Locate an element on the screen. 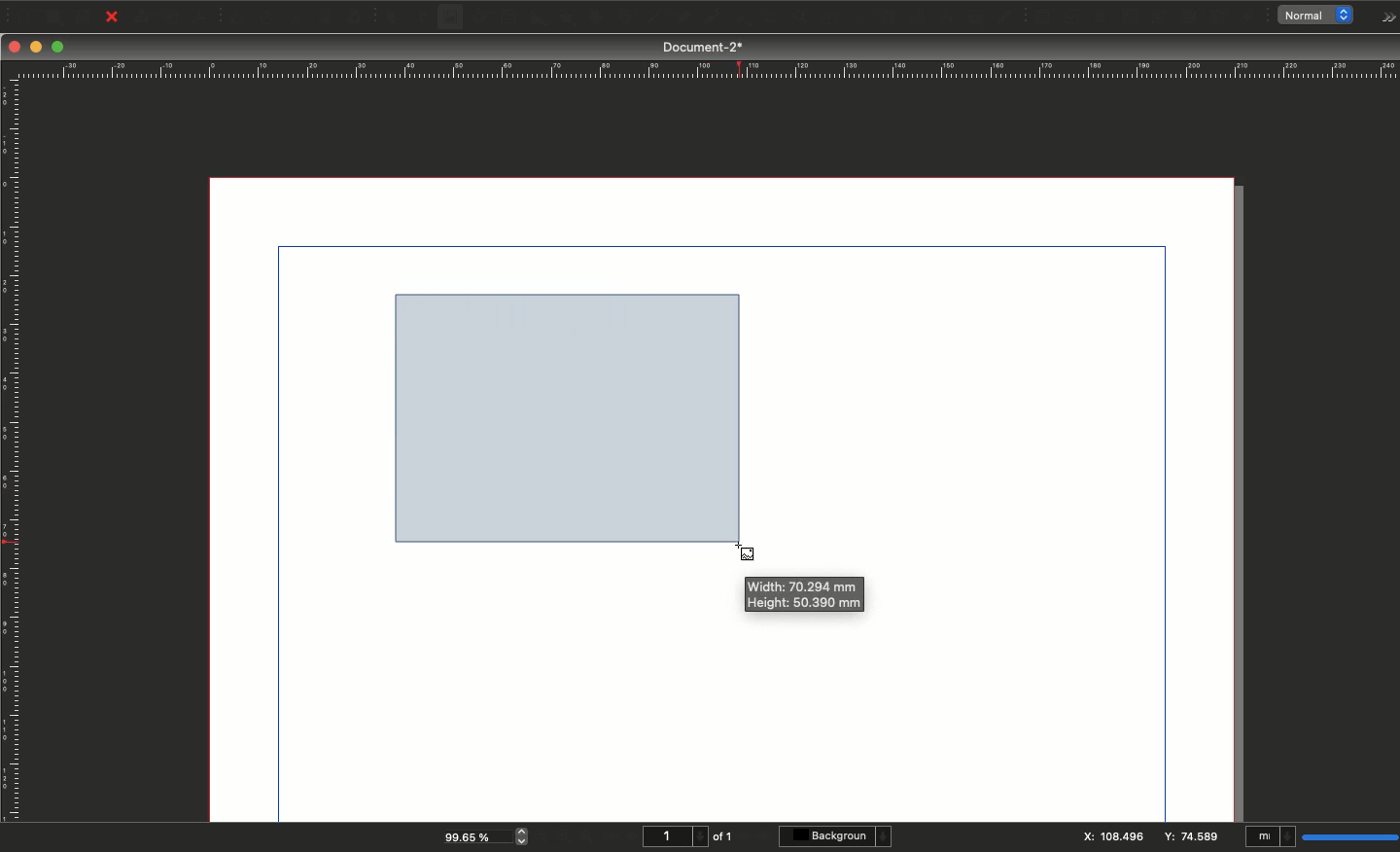  Document-2* is located at coordinates (705, 47).